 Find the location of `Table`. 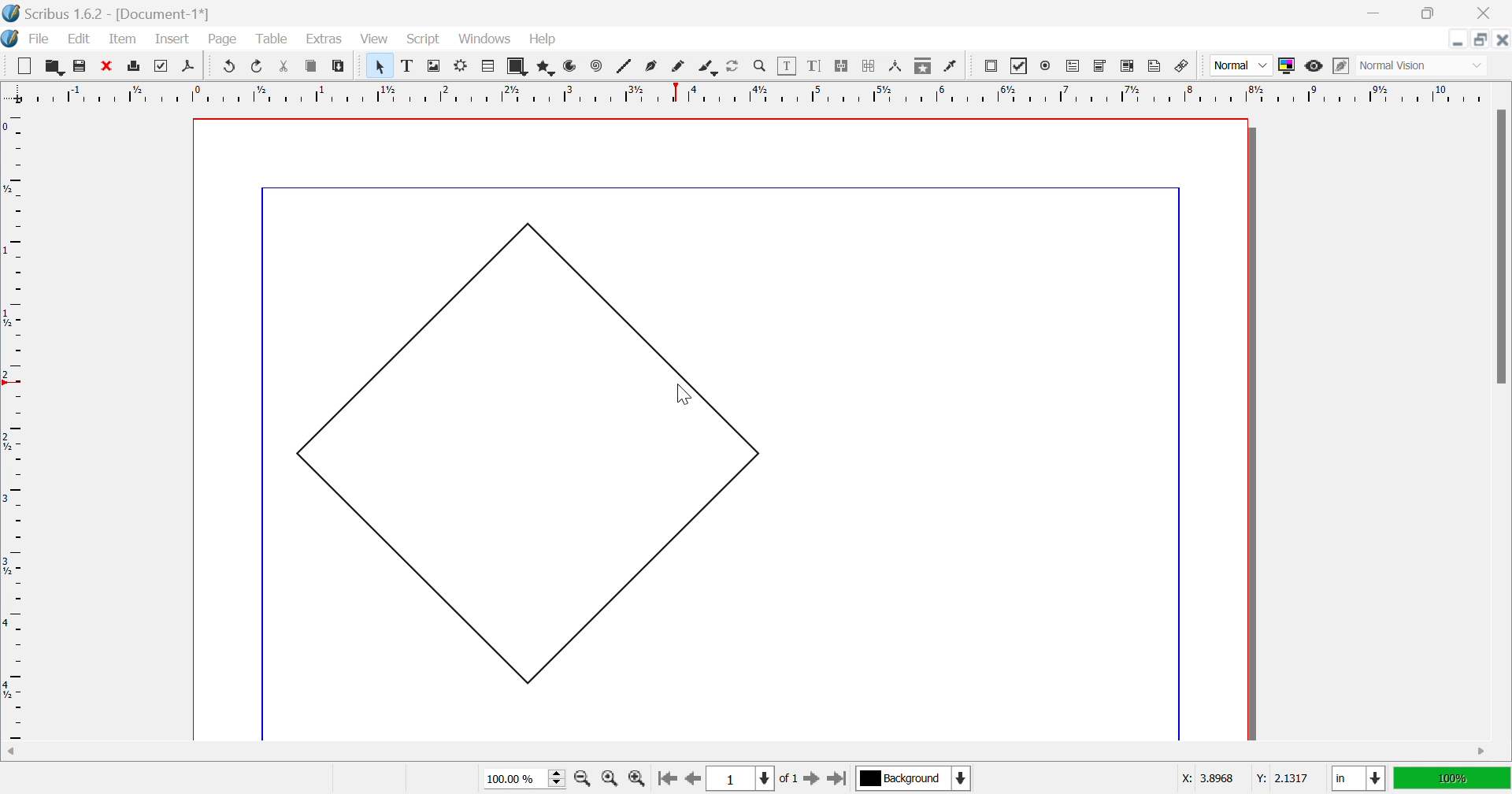

Table is located at coordinates (270, 39).